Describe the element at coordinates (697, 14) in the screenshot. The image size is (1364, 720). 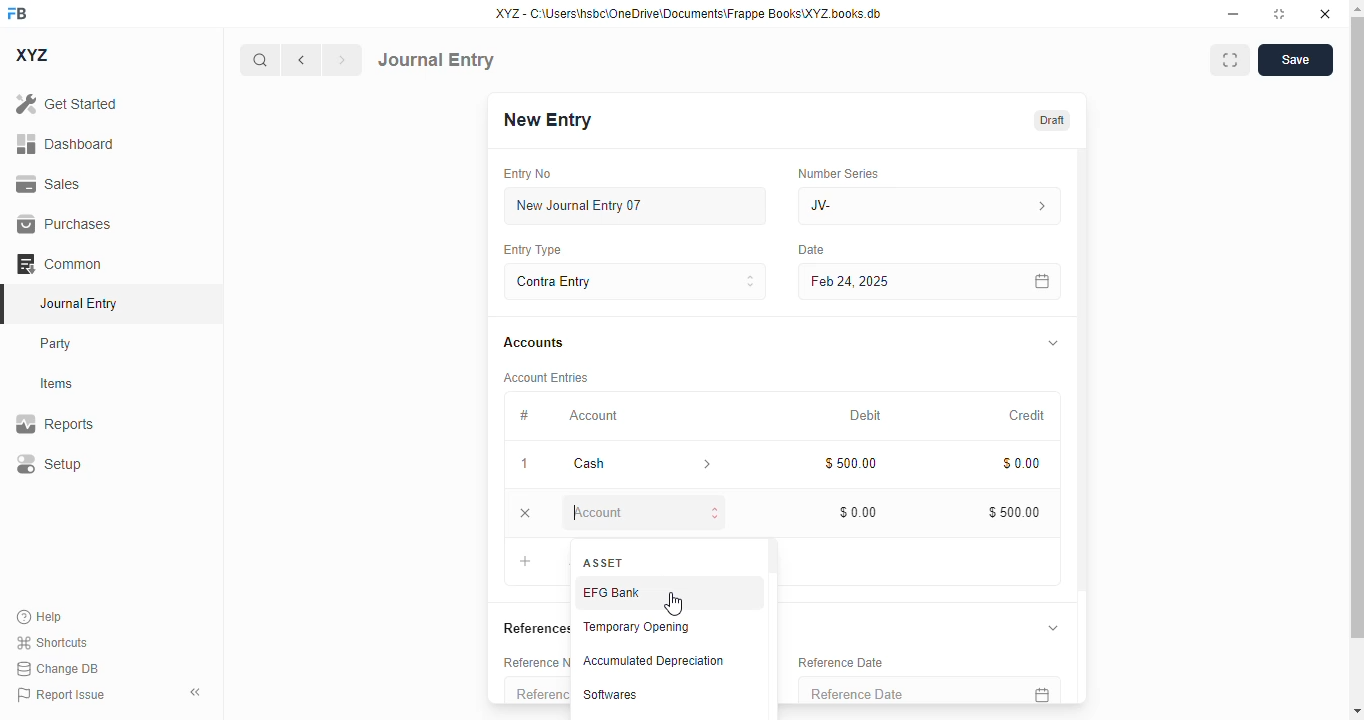
I see `XYZ - C:\Users\hsbc\OneDrive\Documents\Frappe Books\XYZ books. db` at that location.